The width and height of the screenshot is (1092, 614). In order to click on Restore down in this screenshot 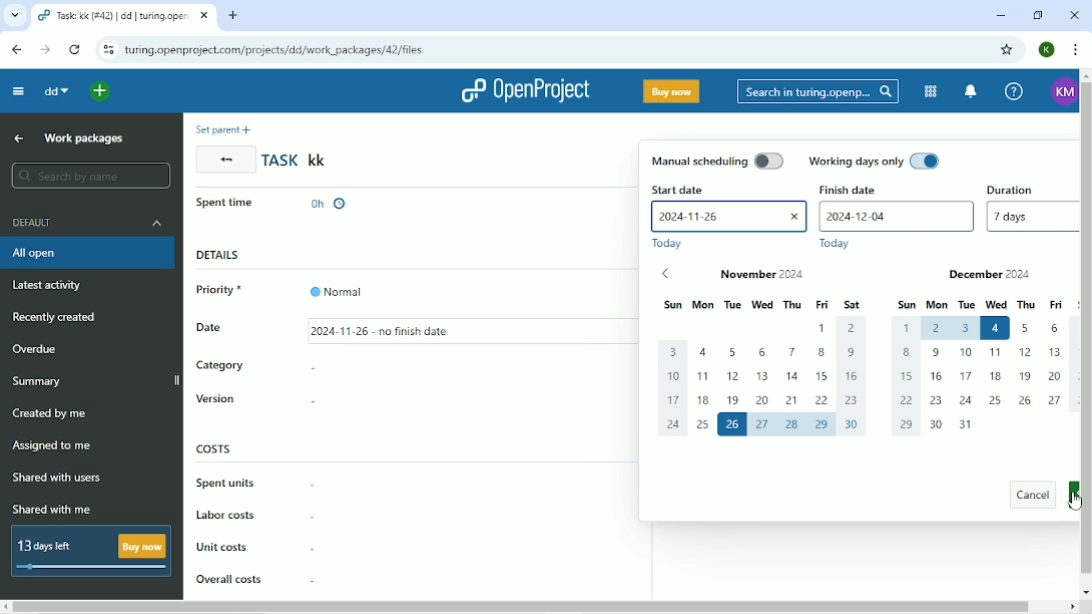, I will do `click(1039, 16)`.